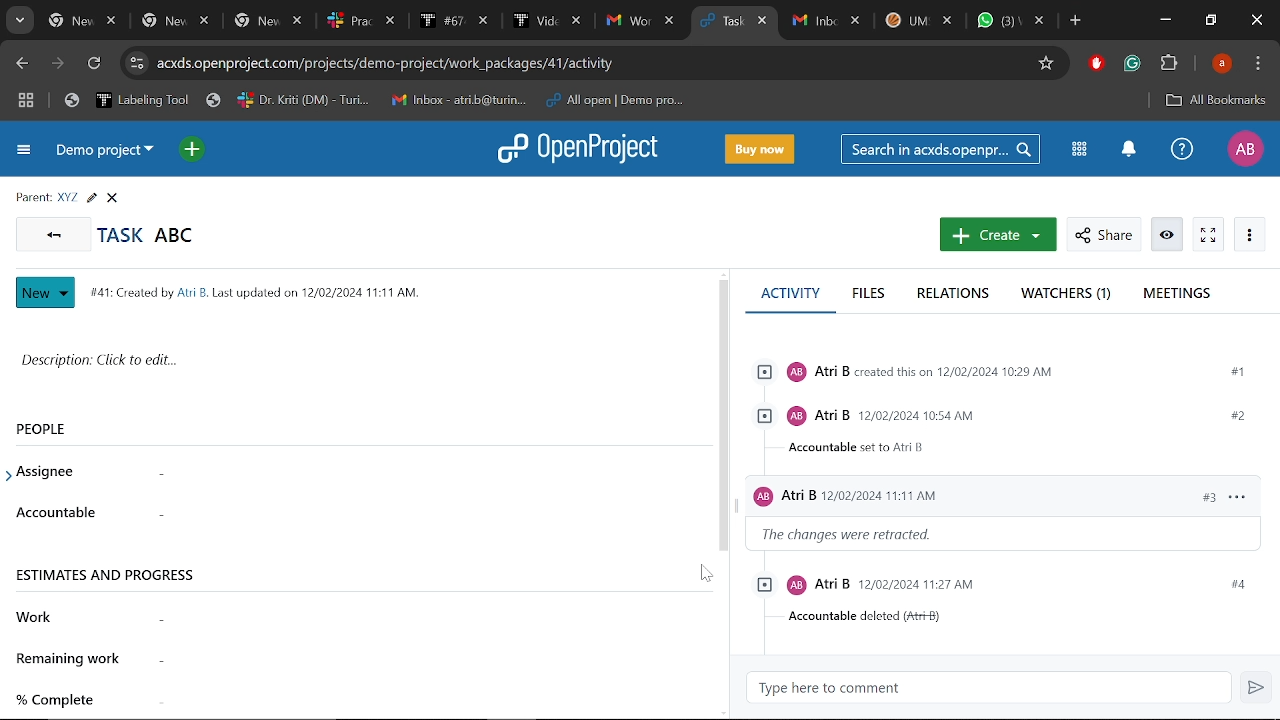 The width and height of the screenshot is (1280, 720). Describe the element at coordinates (820, 688) in the screenshot. I see `Type here to comment` at that location.